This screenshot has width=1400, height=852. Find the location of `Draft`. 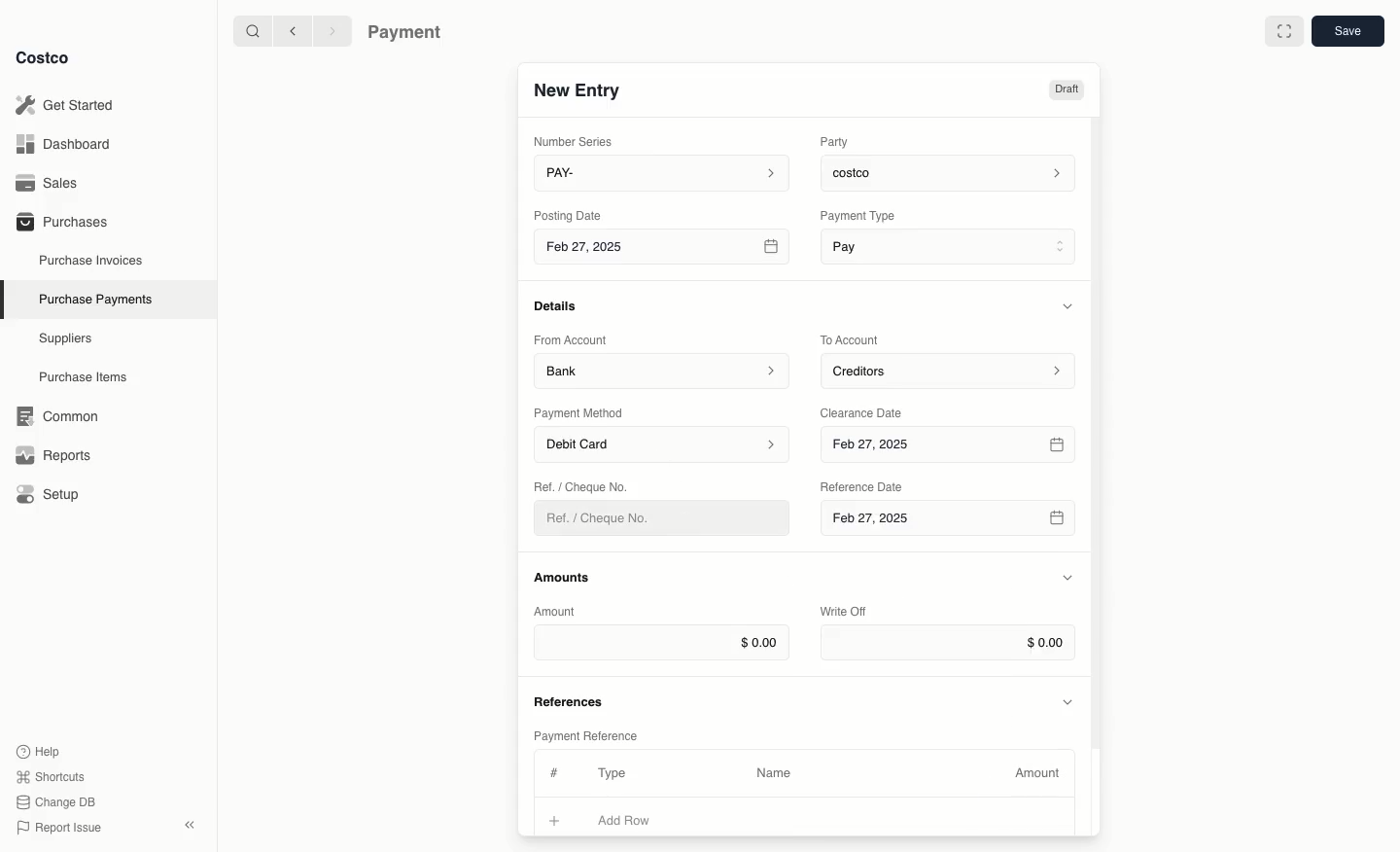

Draft is located at coordinates (1066, 89).